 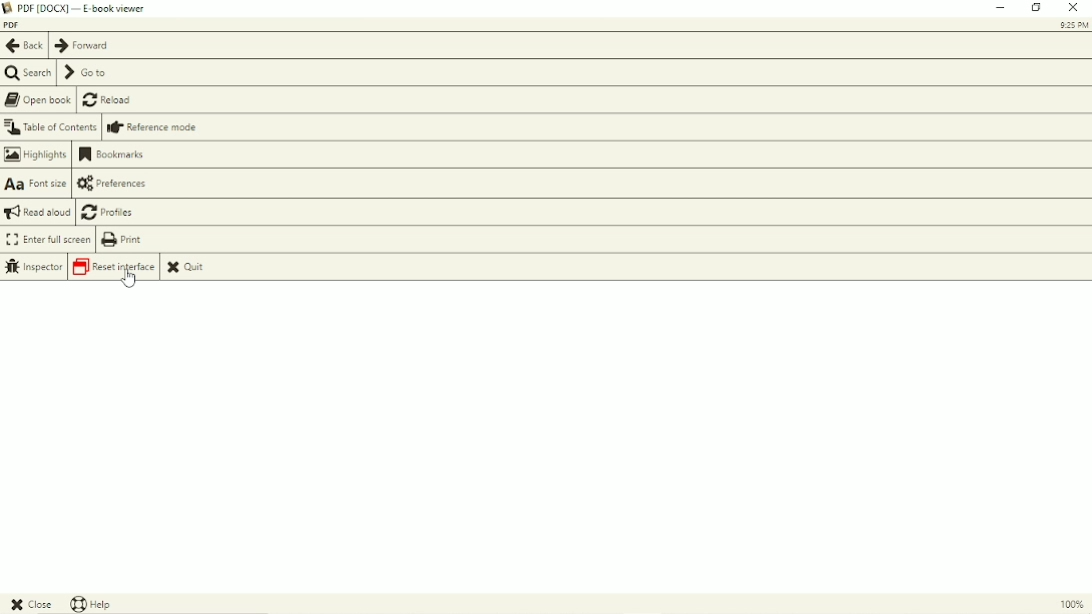 I want to click on 100%, so click(x=1069, y=602).